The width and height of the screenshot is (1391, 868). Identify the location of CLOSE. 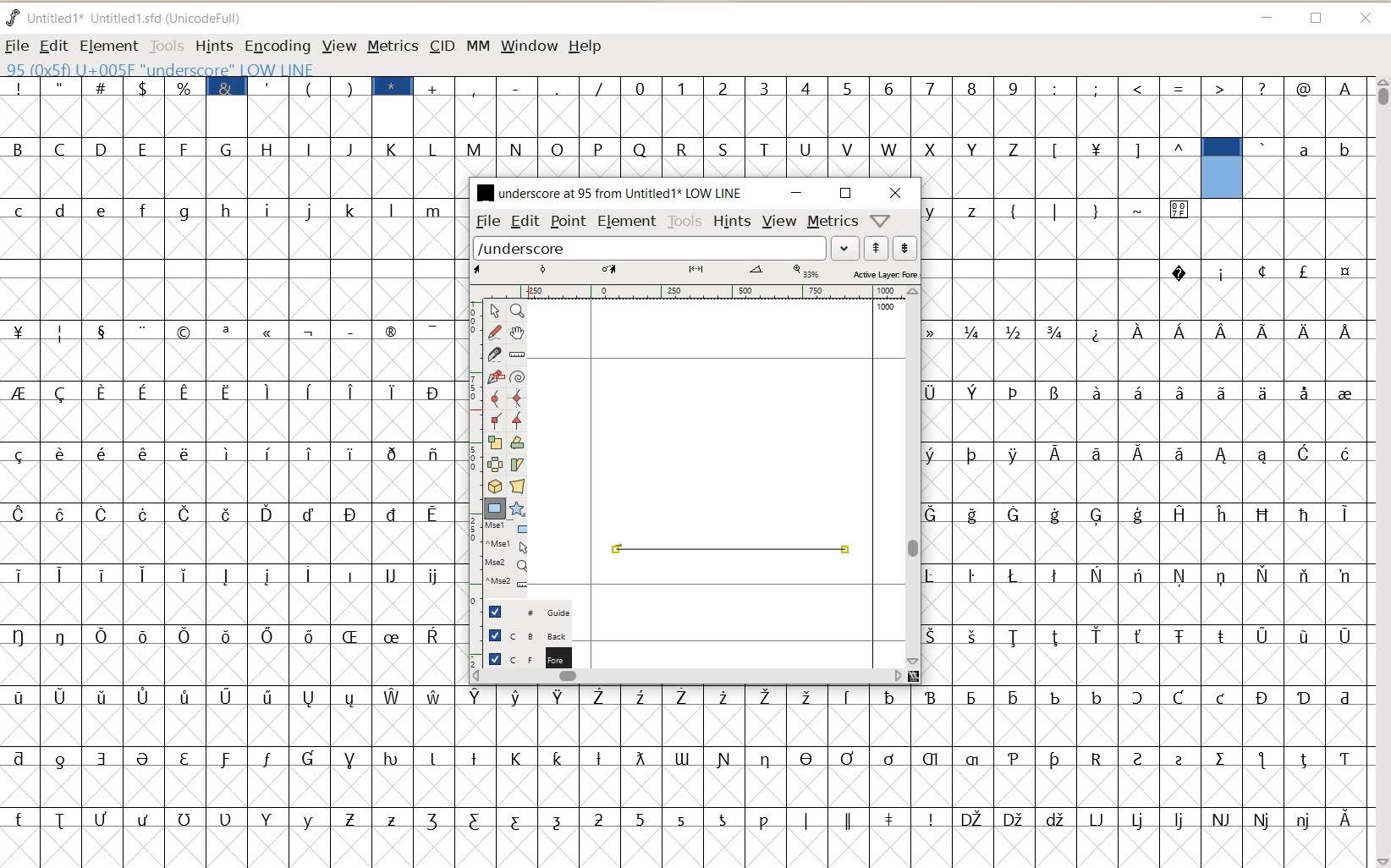
(896, 193).